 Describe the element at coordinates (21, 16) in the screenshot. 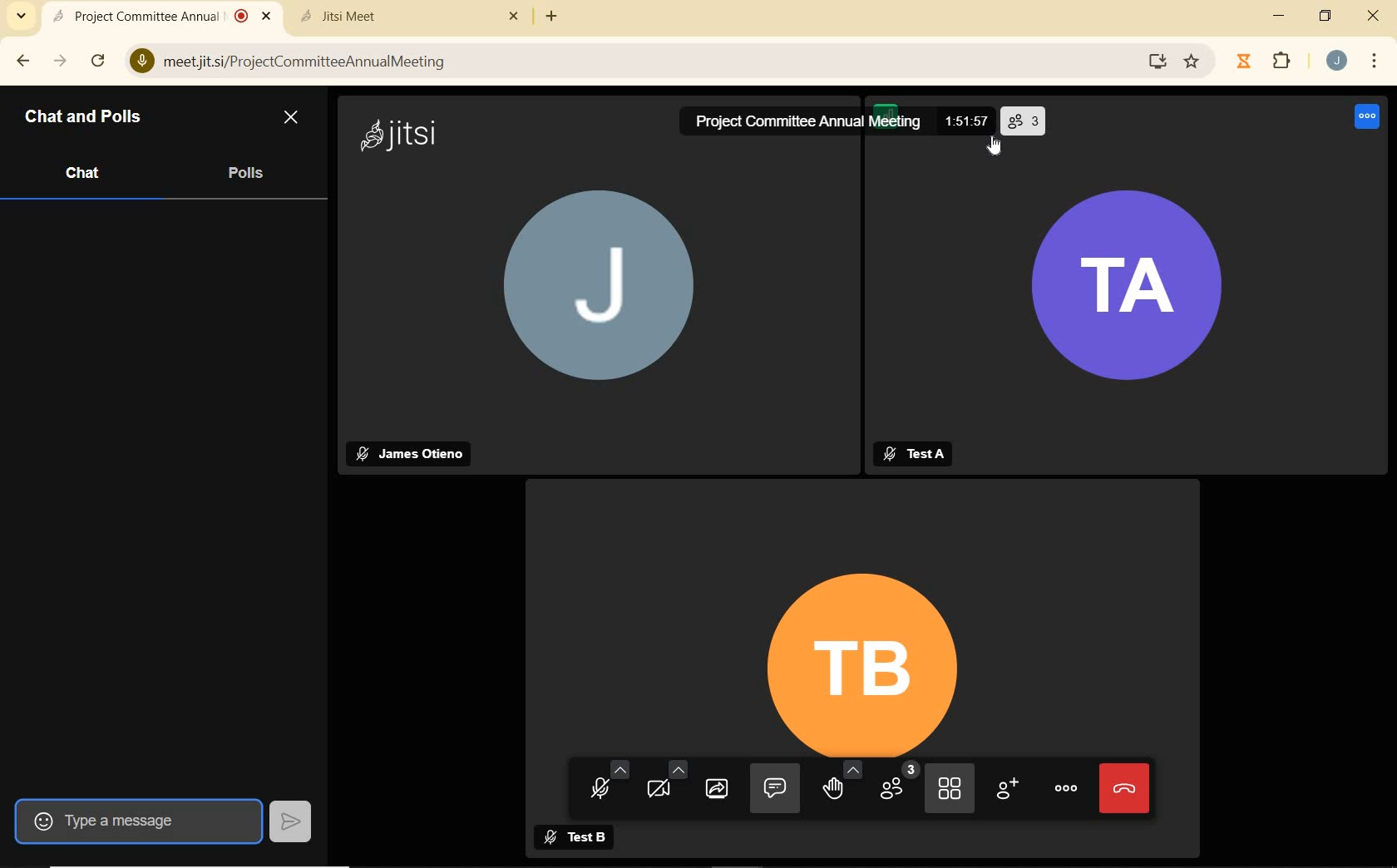

I see `search tabs` at that location.